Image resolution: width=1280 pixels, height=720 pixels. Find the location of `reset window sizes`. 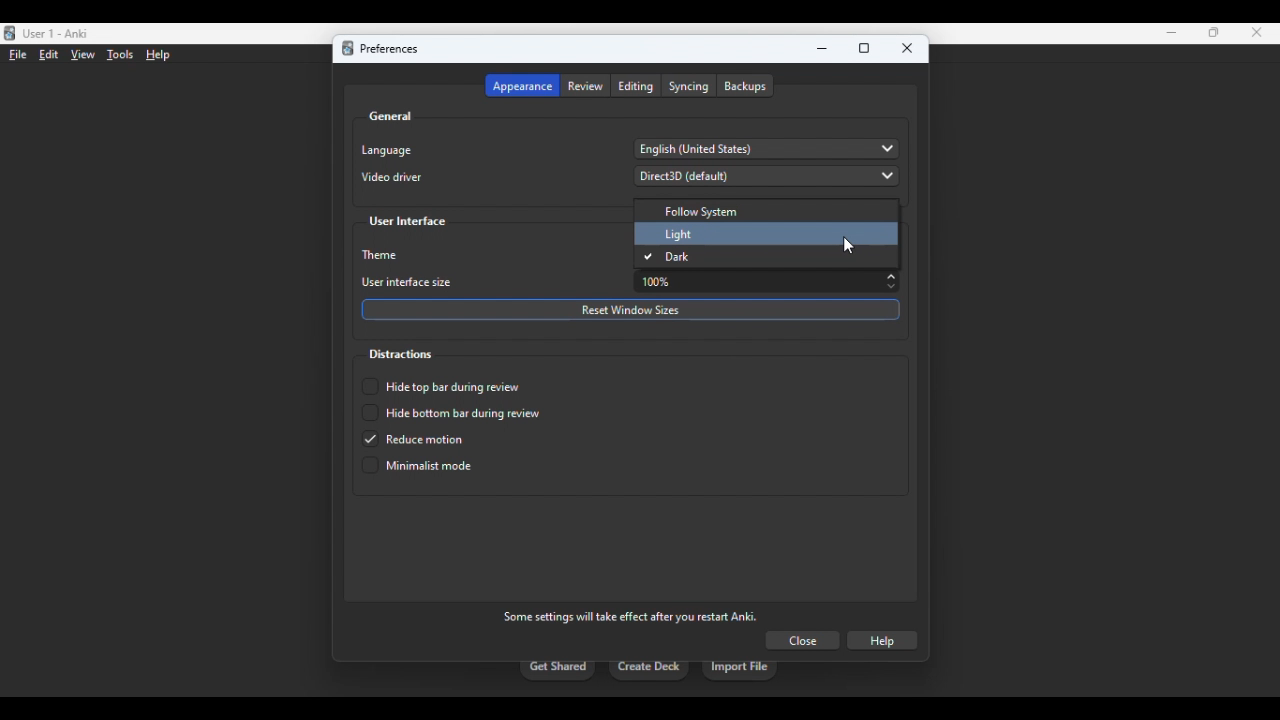

reset window sizes is located at coordinates (631, 310).